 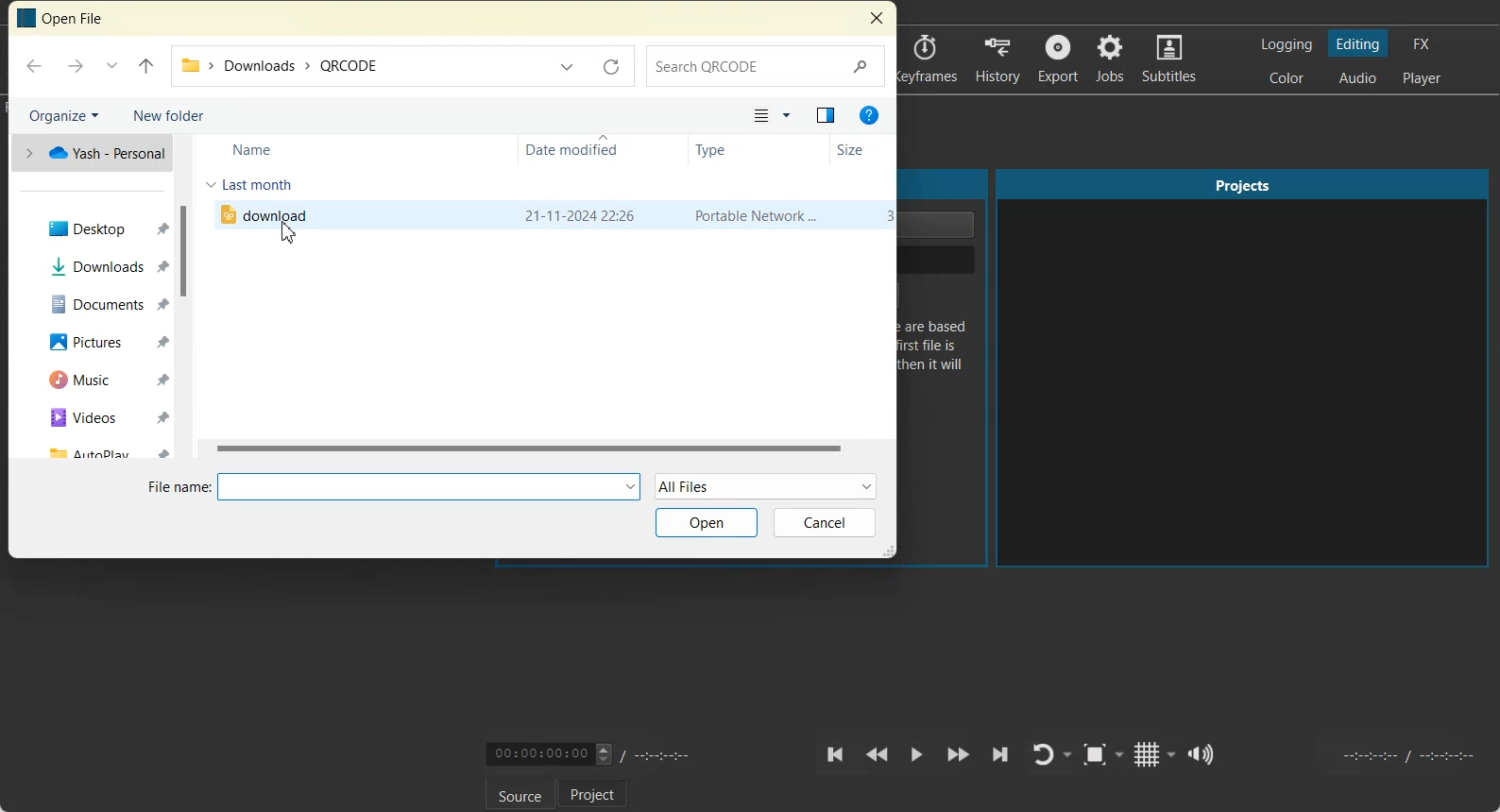 I want to click on Switch to the Logging layout, so click(x=1287, y=44).